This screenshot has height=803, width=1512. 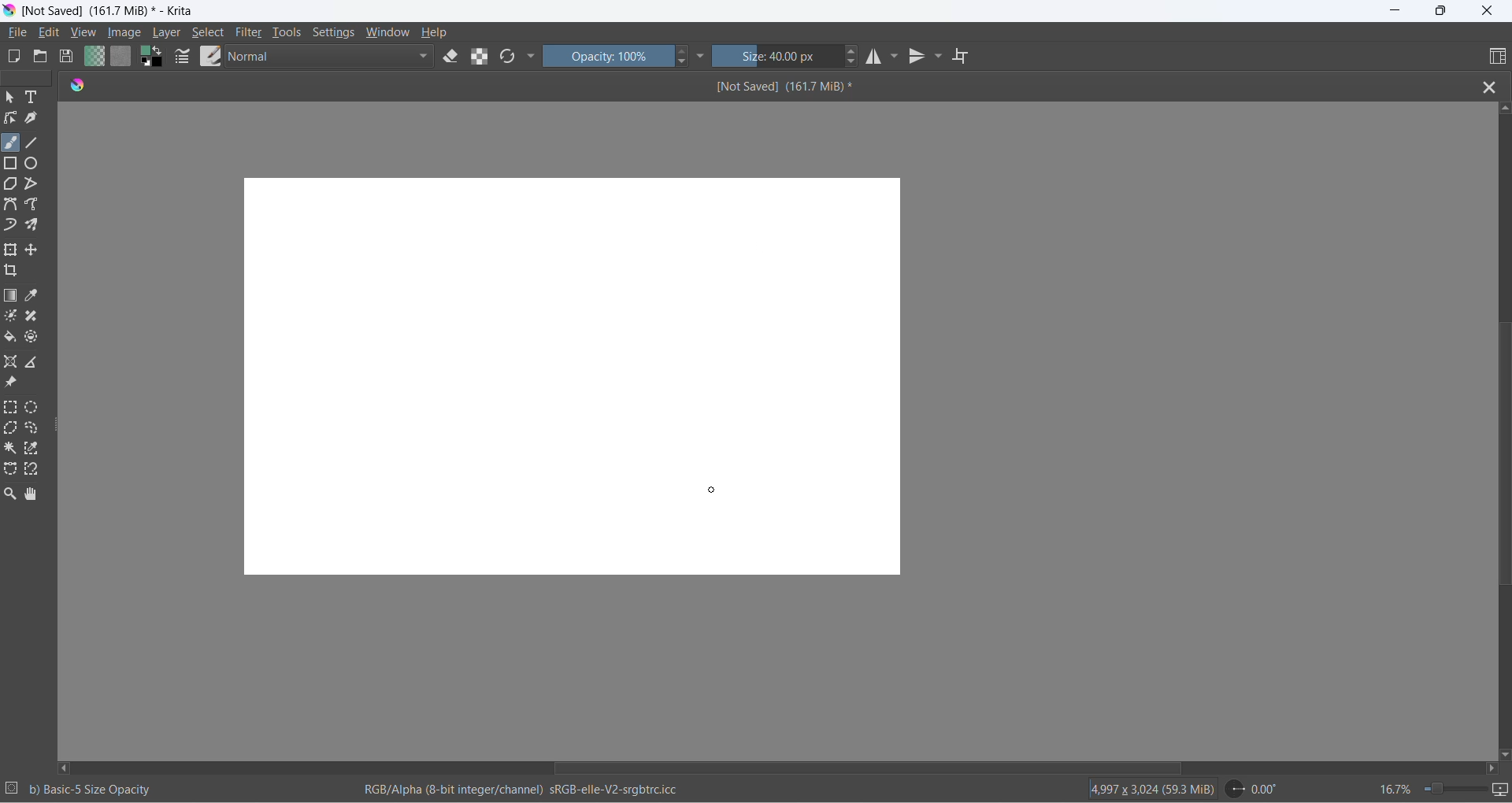 What do you see at coordinates (1440, 11) in the screenshot?
I see `maximize` at bounding box center [1440, 11].